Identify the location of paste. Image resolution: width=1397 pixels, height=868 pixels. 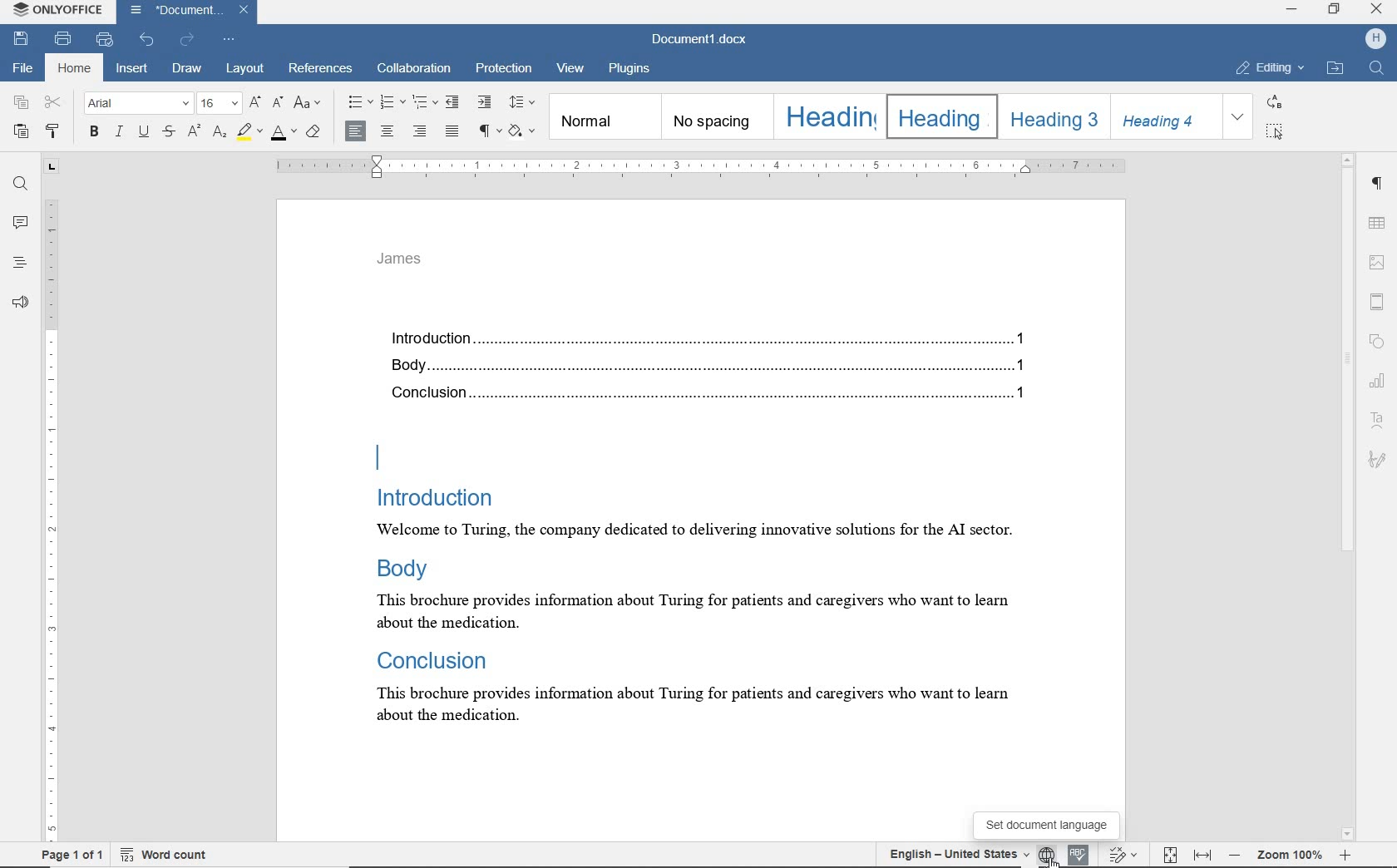
(19, 131).